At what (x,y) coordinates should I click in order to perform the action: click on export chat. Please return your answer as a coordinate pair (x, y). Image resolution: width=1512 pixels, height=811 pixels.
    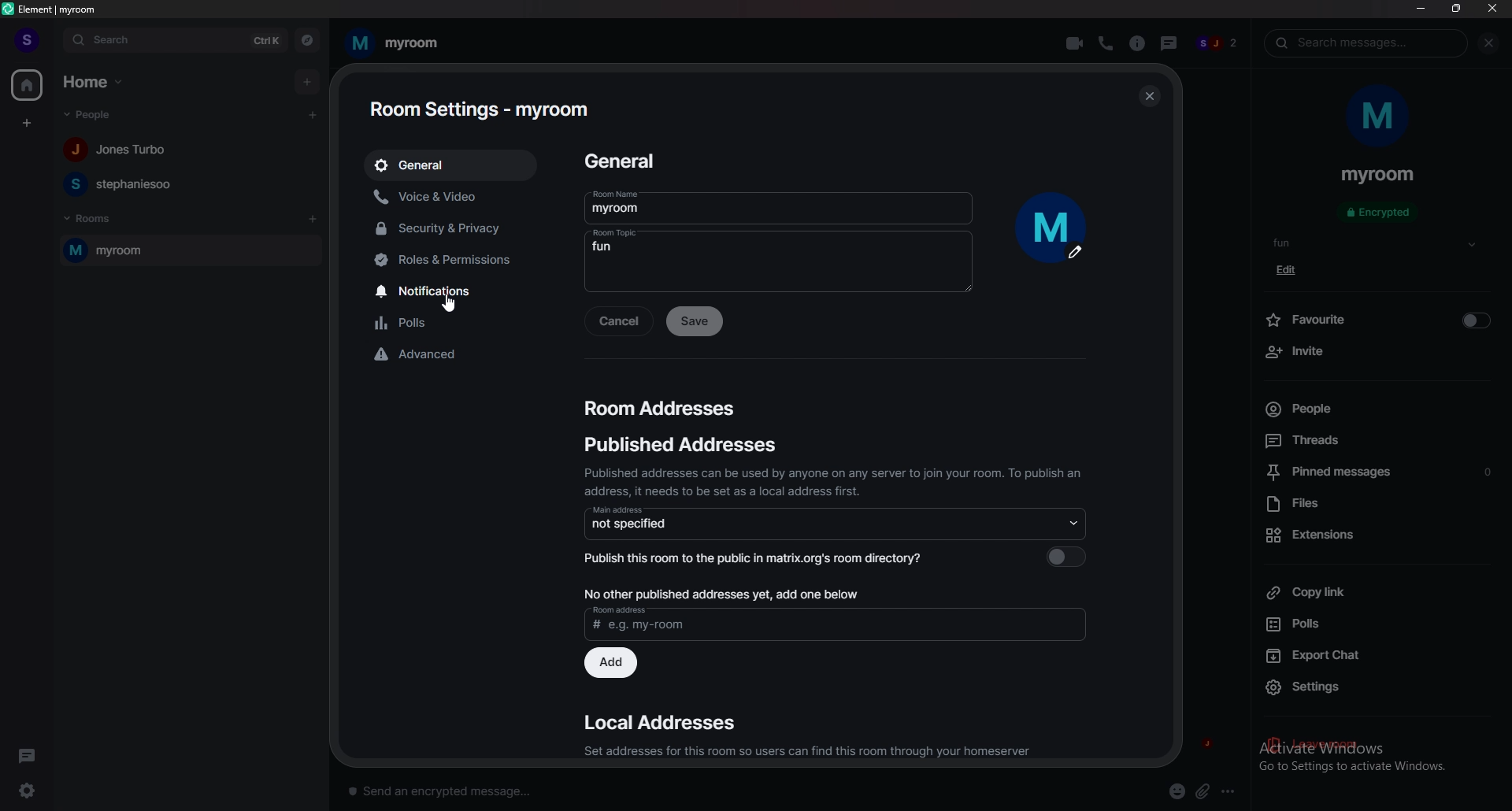
    Looking at the image, I should click on (1375, 654).